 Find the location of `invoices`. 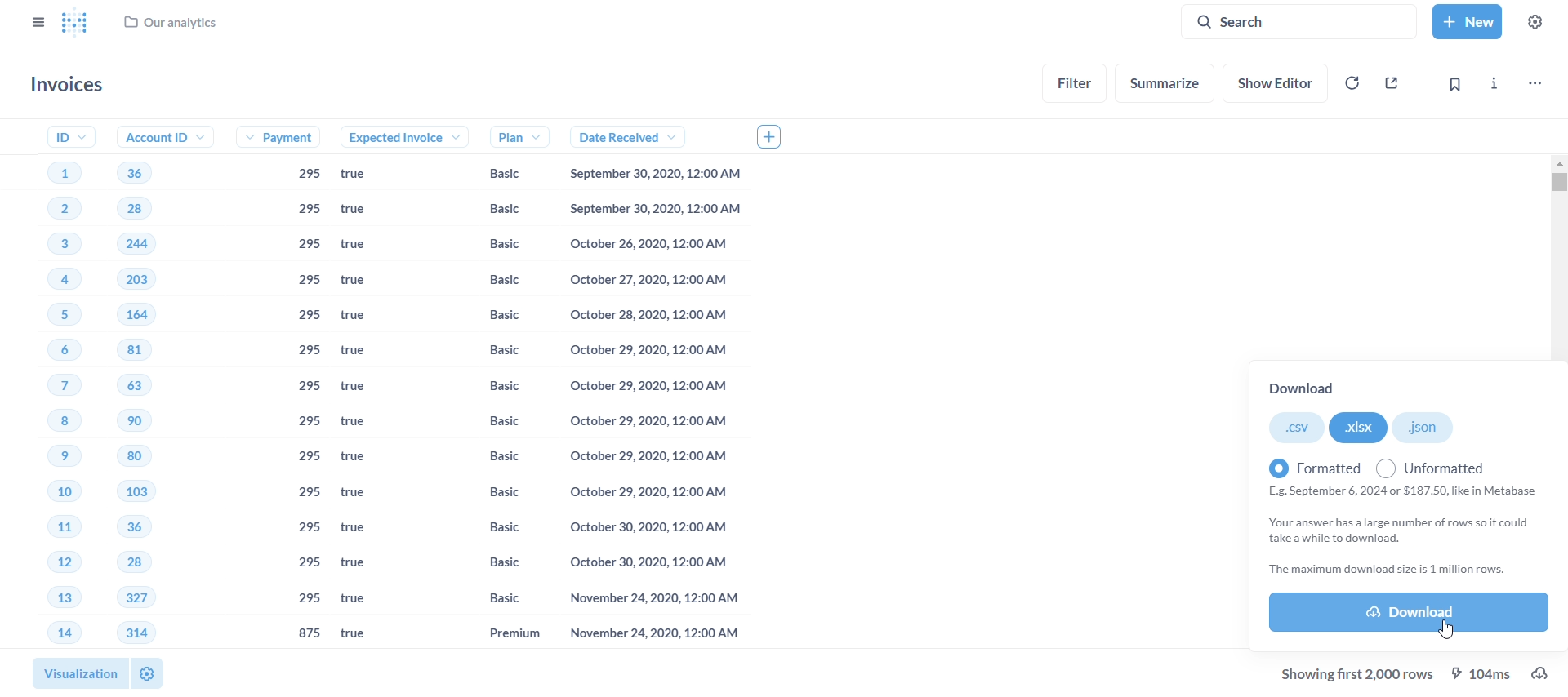

invoices is located at coordinates (71, 85).